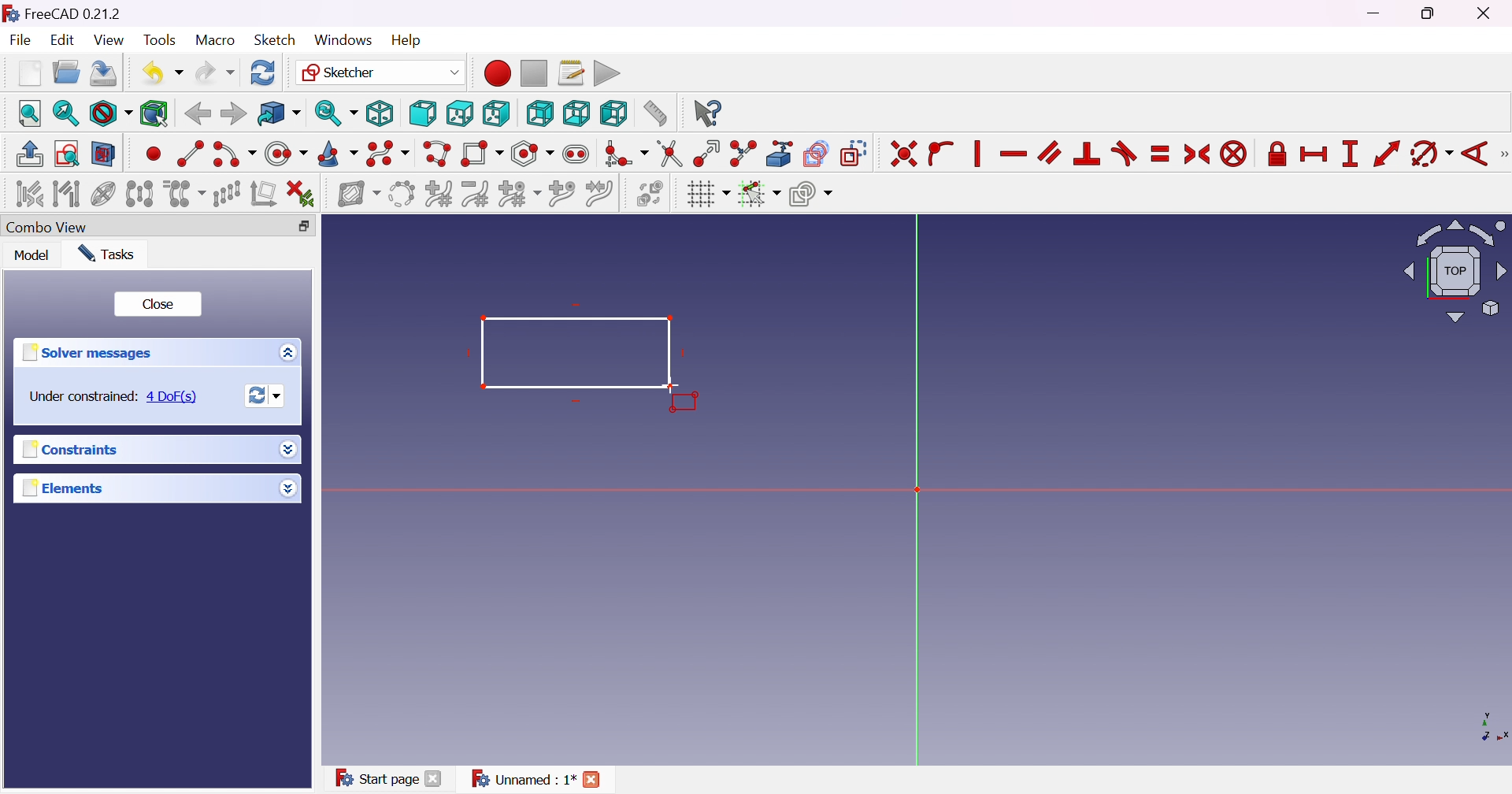 This screenshot has width=1512, height=794. I want to click on View sketch, so click(66, 154).